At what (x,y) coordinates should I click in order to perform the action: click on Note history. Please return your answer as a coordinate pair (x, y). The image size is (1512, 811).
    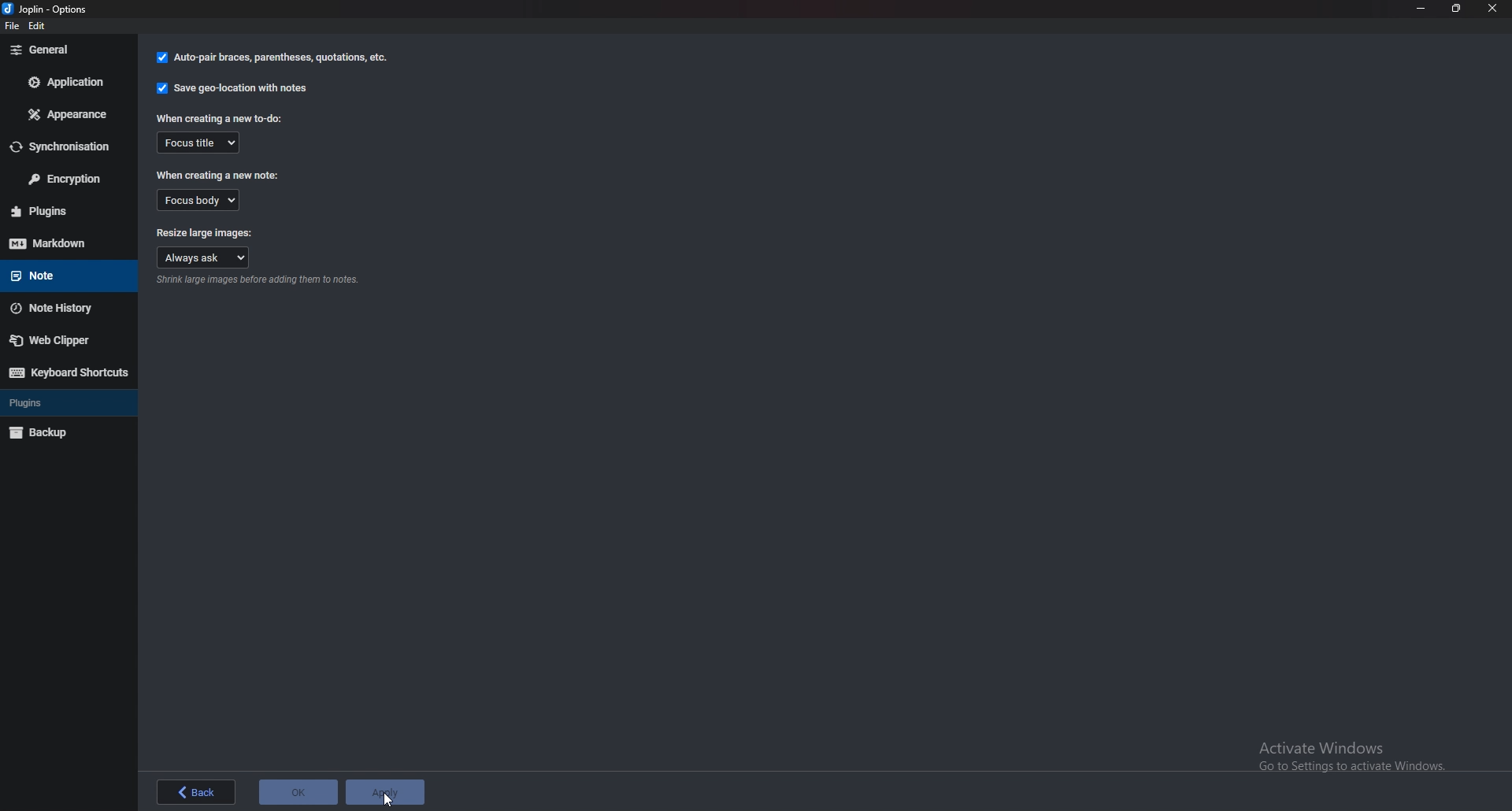
    Looking at the image, I should click on (63, 308).